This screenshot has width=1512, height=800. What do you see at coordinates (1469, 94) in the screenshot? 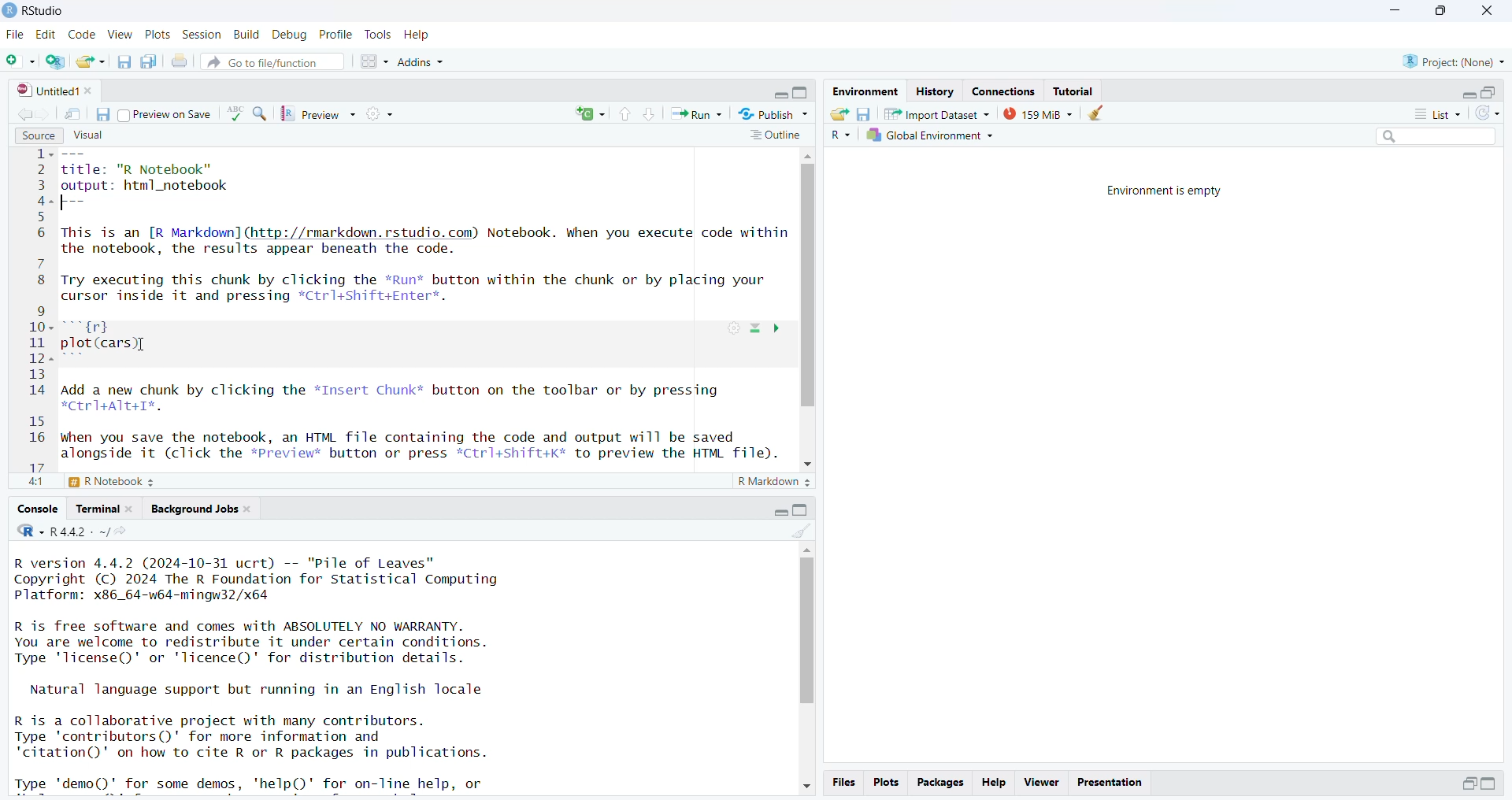
I see `expand` at bounding box center [1469, 94].